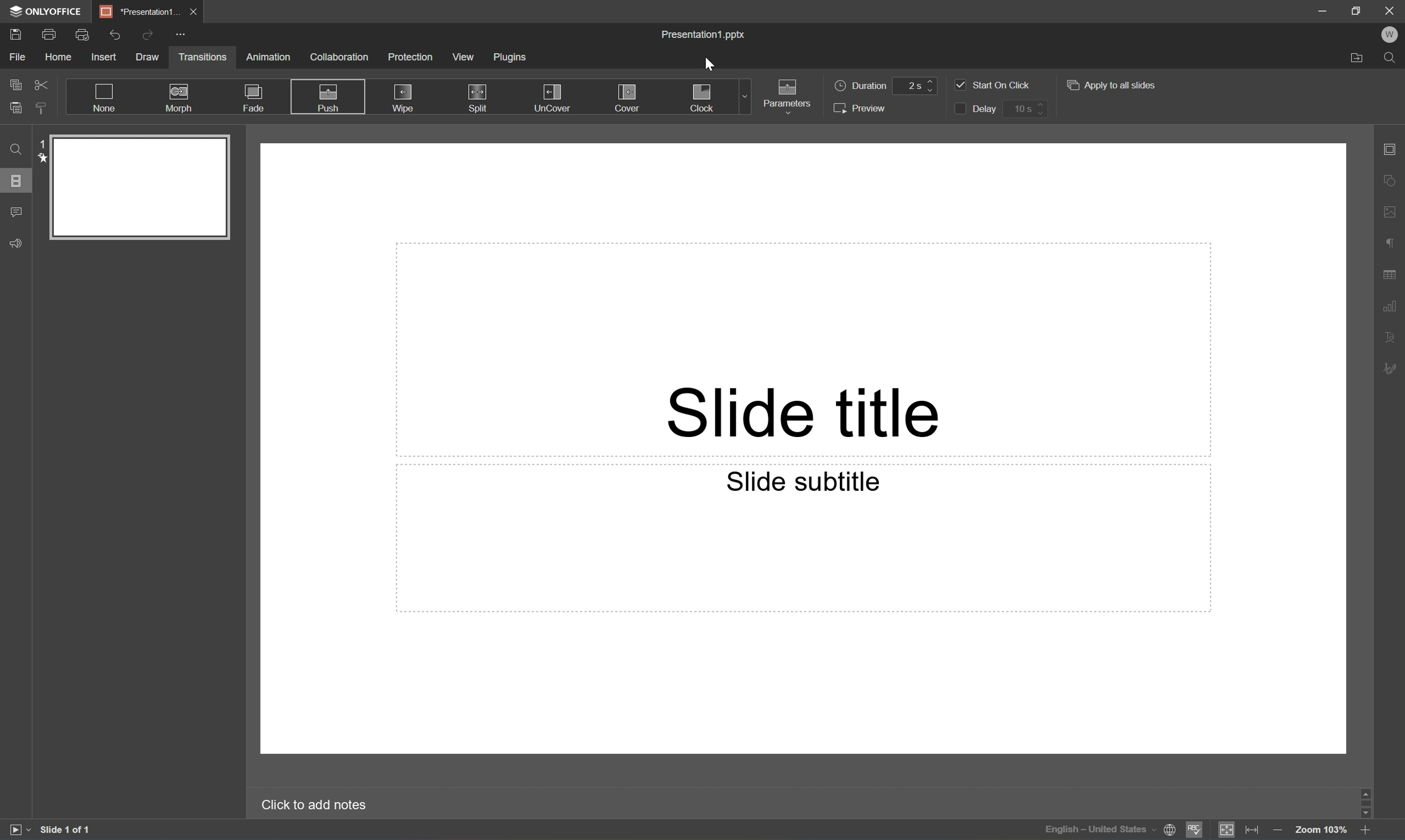 The height and width of the screenshot is (840, 1405). Describe the element at coordinates (15, 246) in the screenshot. I see `Feedback & Support` at that location.